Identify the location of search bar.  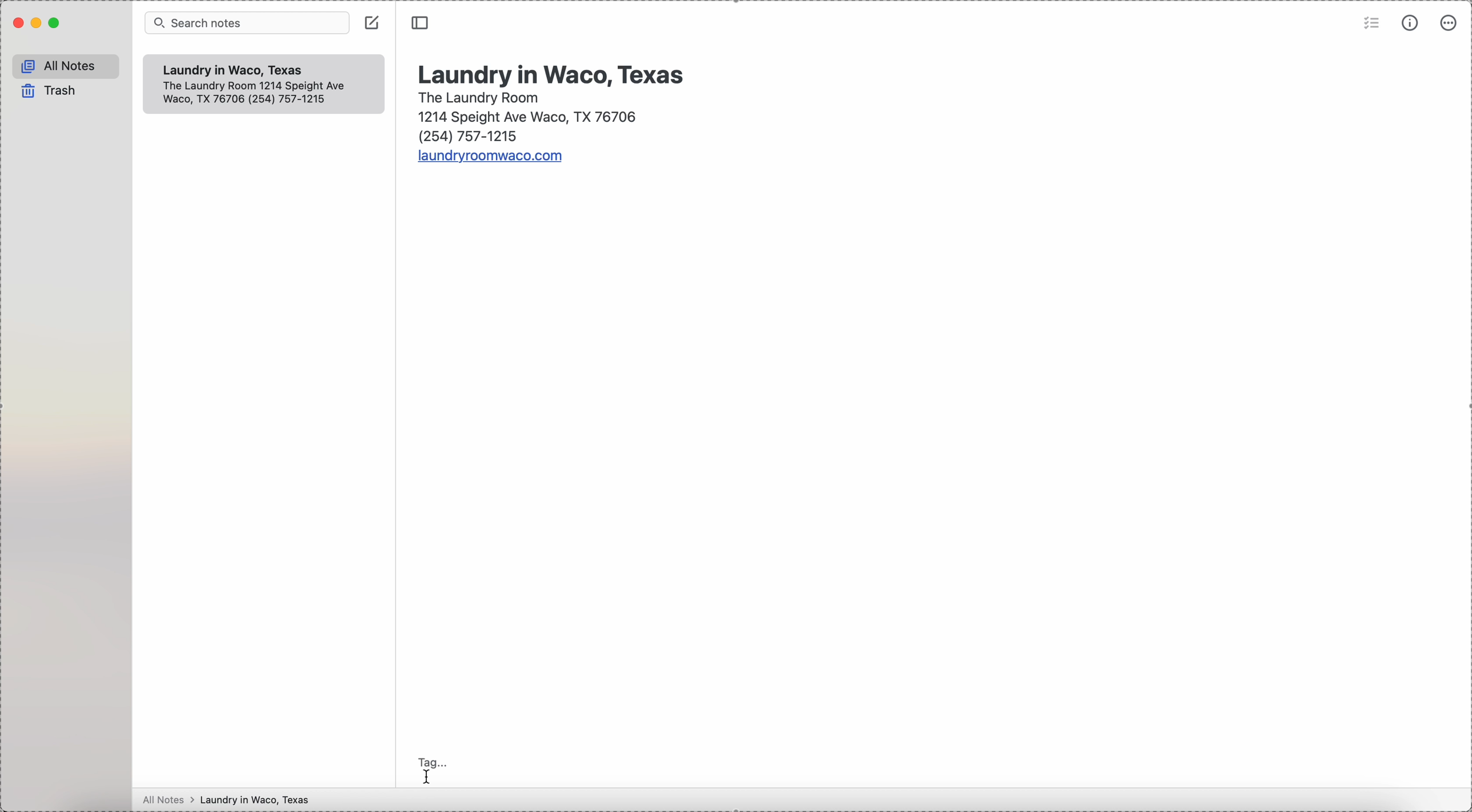
(246, 23).